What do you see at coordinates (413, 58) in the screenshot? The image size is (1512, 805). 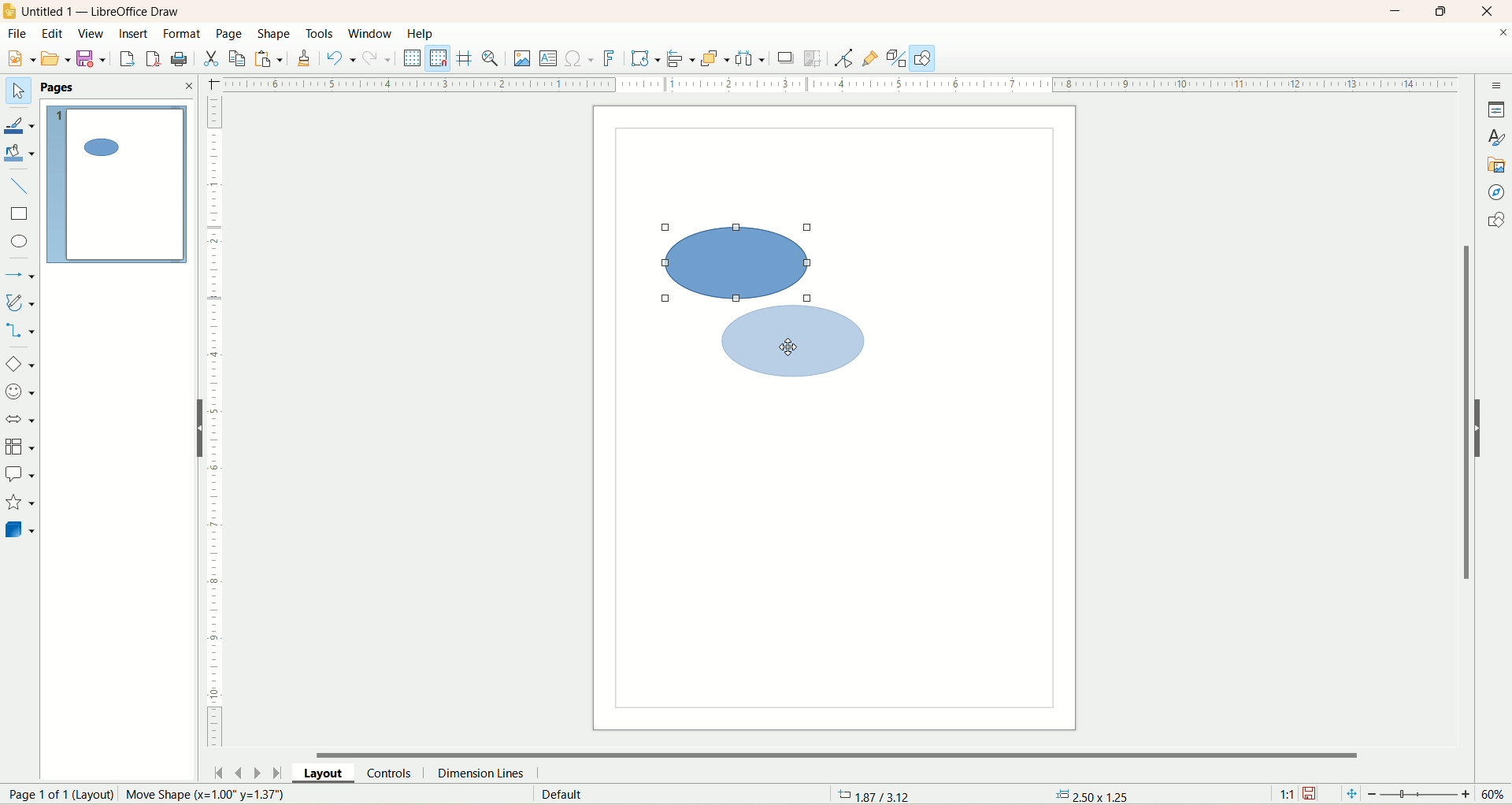 I see `display grid` at bounding box center [413, 58].